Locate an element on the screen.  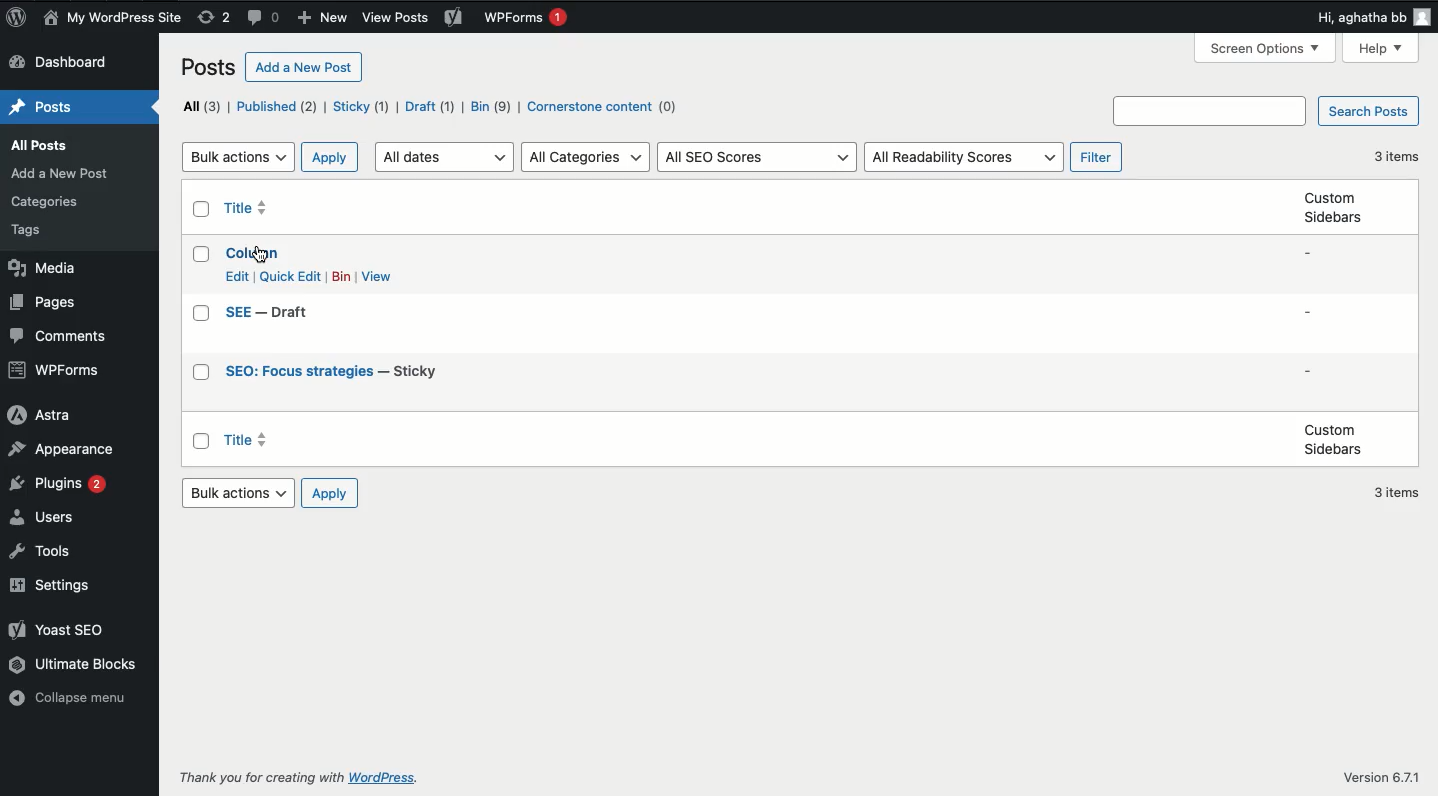
Title is located at coordinates (246, 206).